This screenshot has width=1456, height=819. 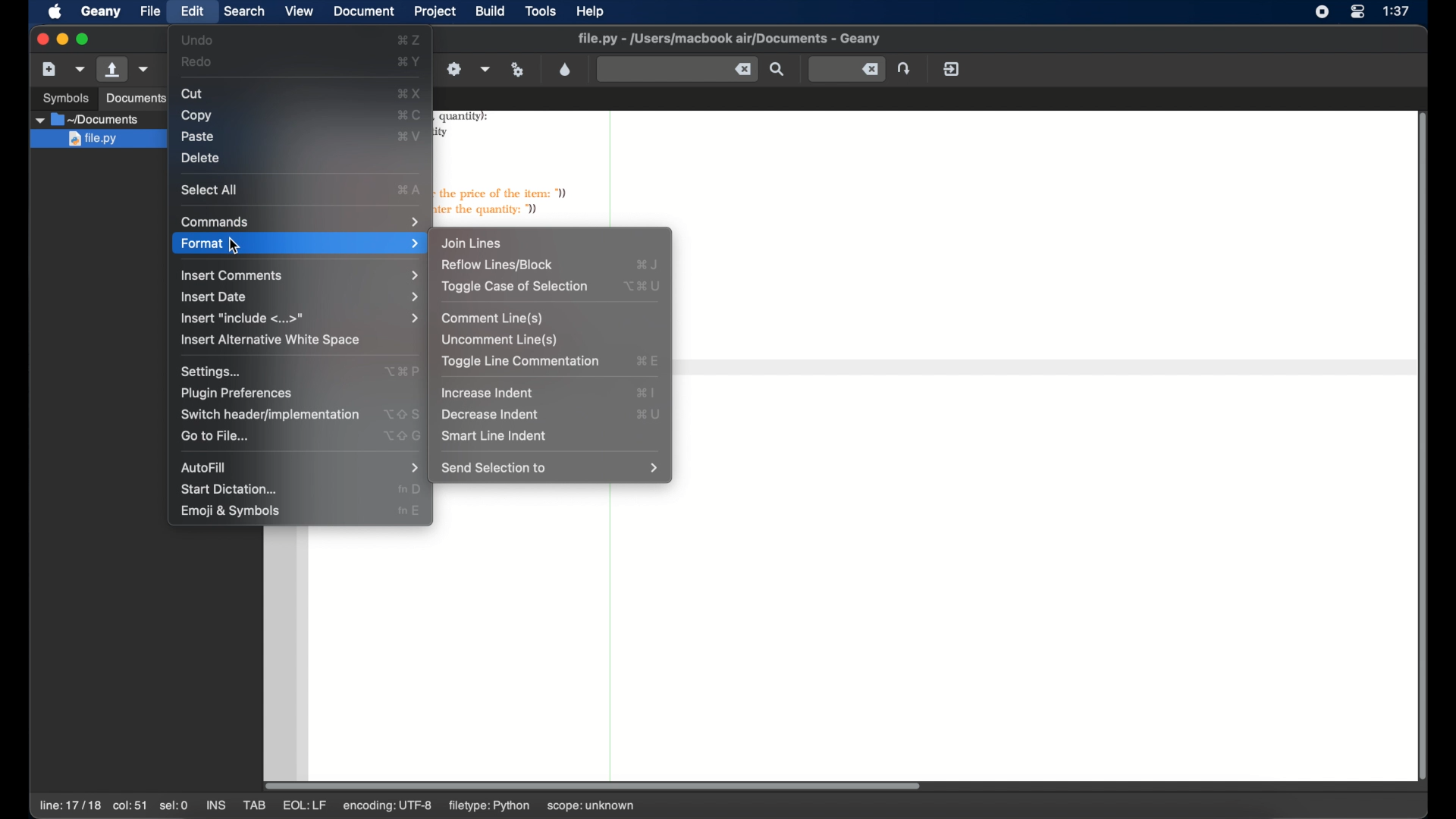 I want to click on copy shortcut, so click(x=409, y=115).